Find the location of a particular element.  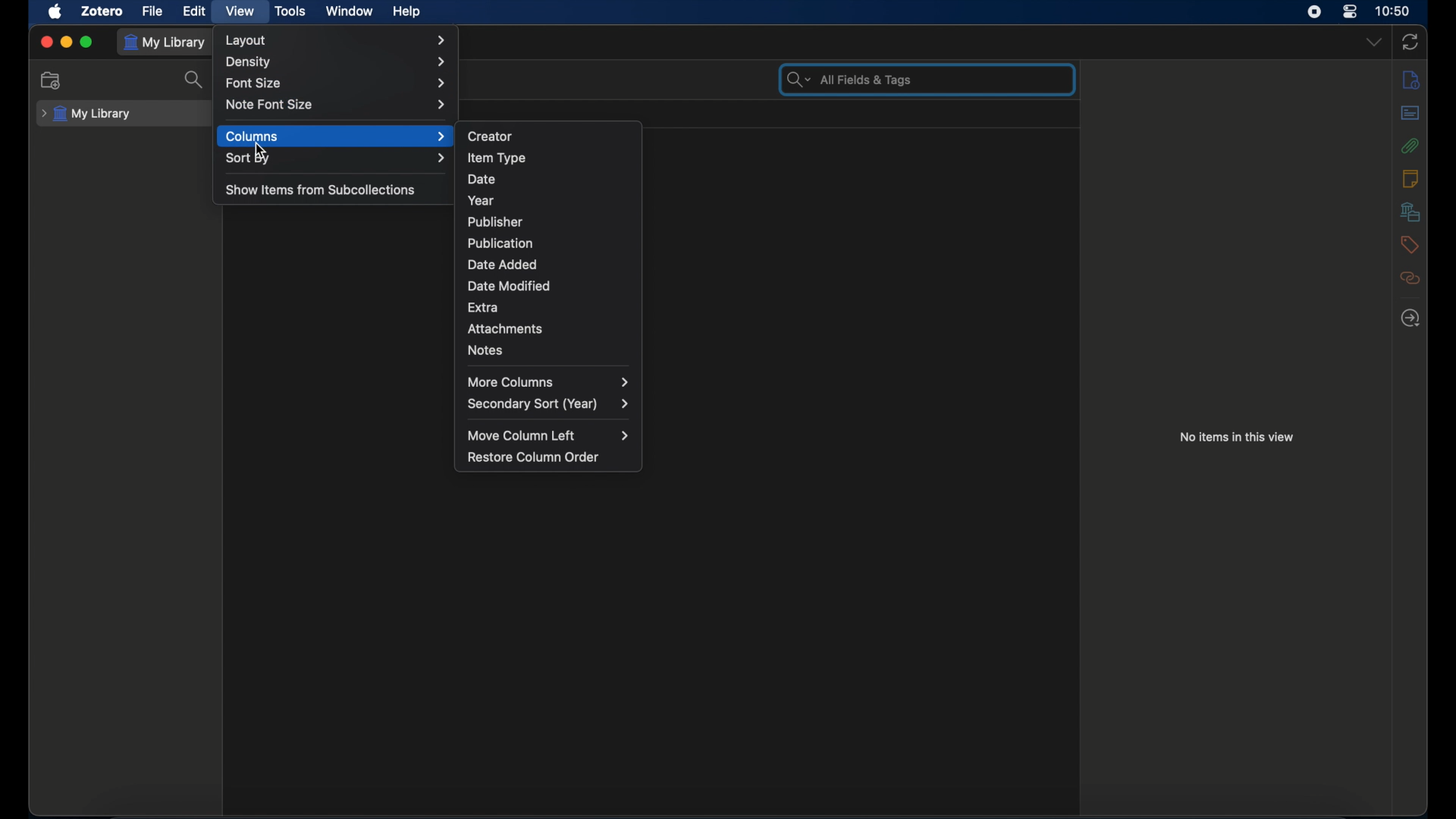

publisher is located at coordinates (494, 221).